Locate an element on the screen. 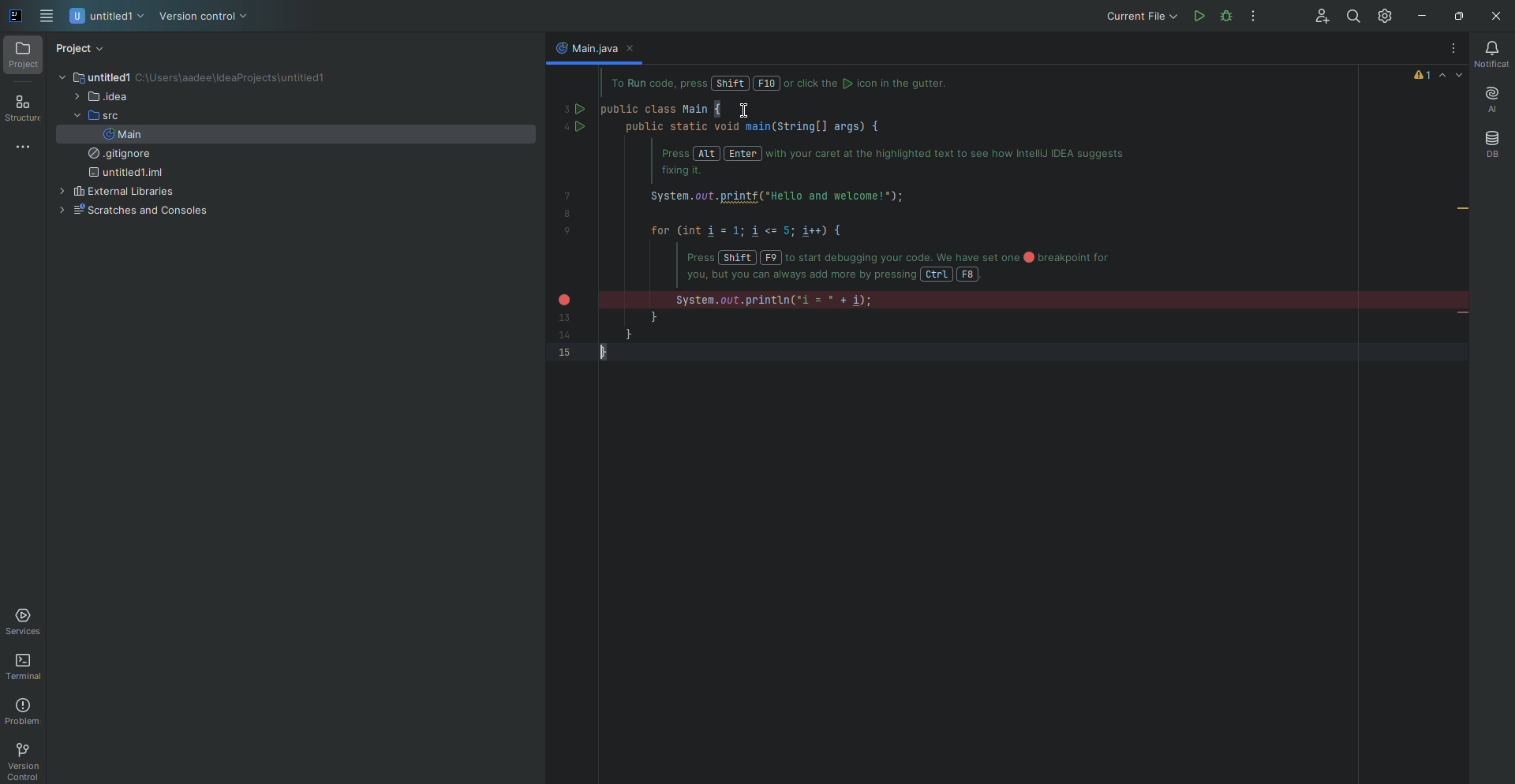 The height and width of the screenshot is (784, 1515). cursor is located at coordinates (743, 113).